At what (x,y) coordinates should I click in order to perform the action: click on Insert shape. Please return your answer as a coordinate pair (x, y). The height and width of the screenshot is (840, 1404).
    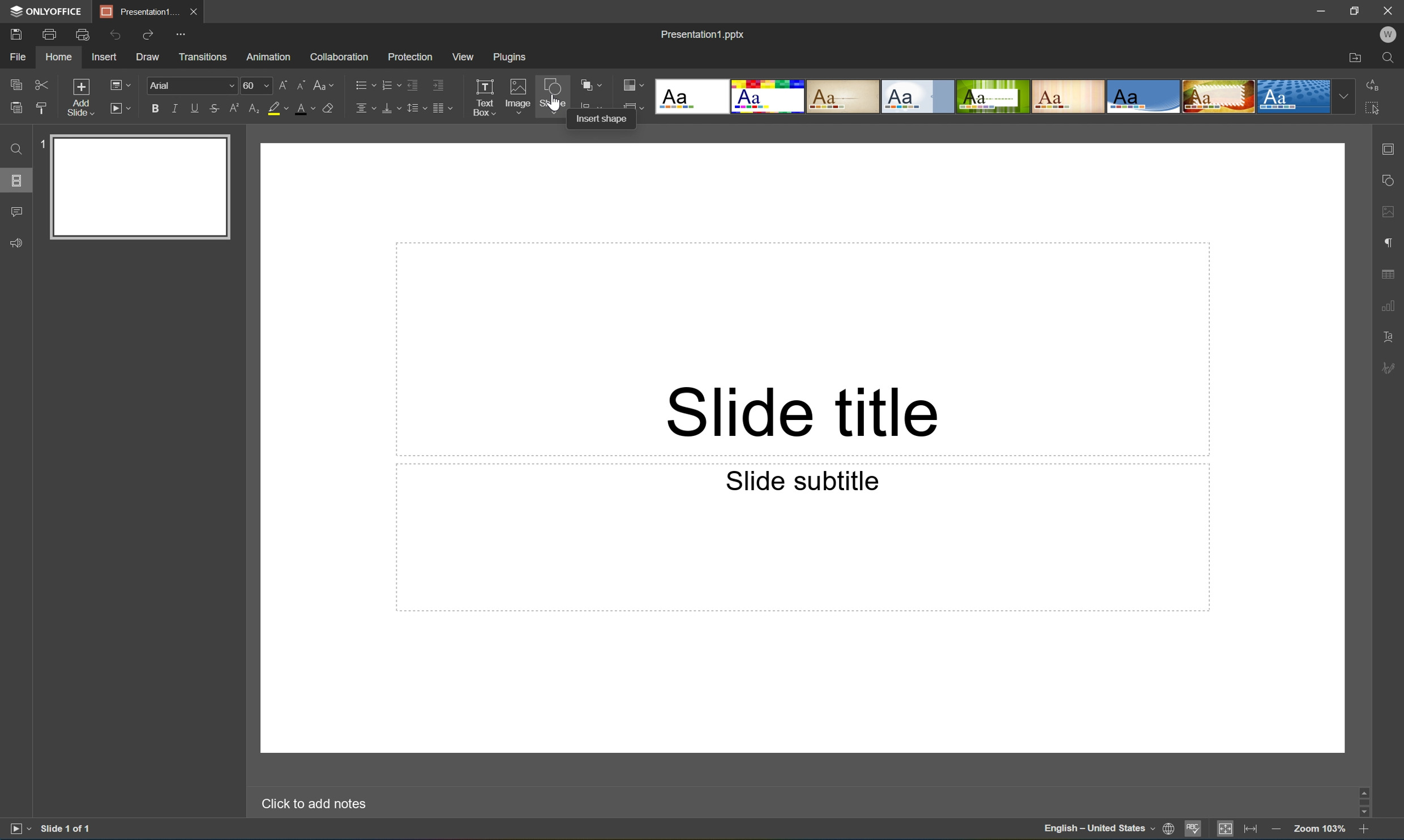
    Looking at the image, I should click on (602, 119).